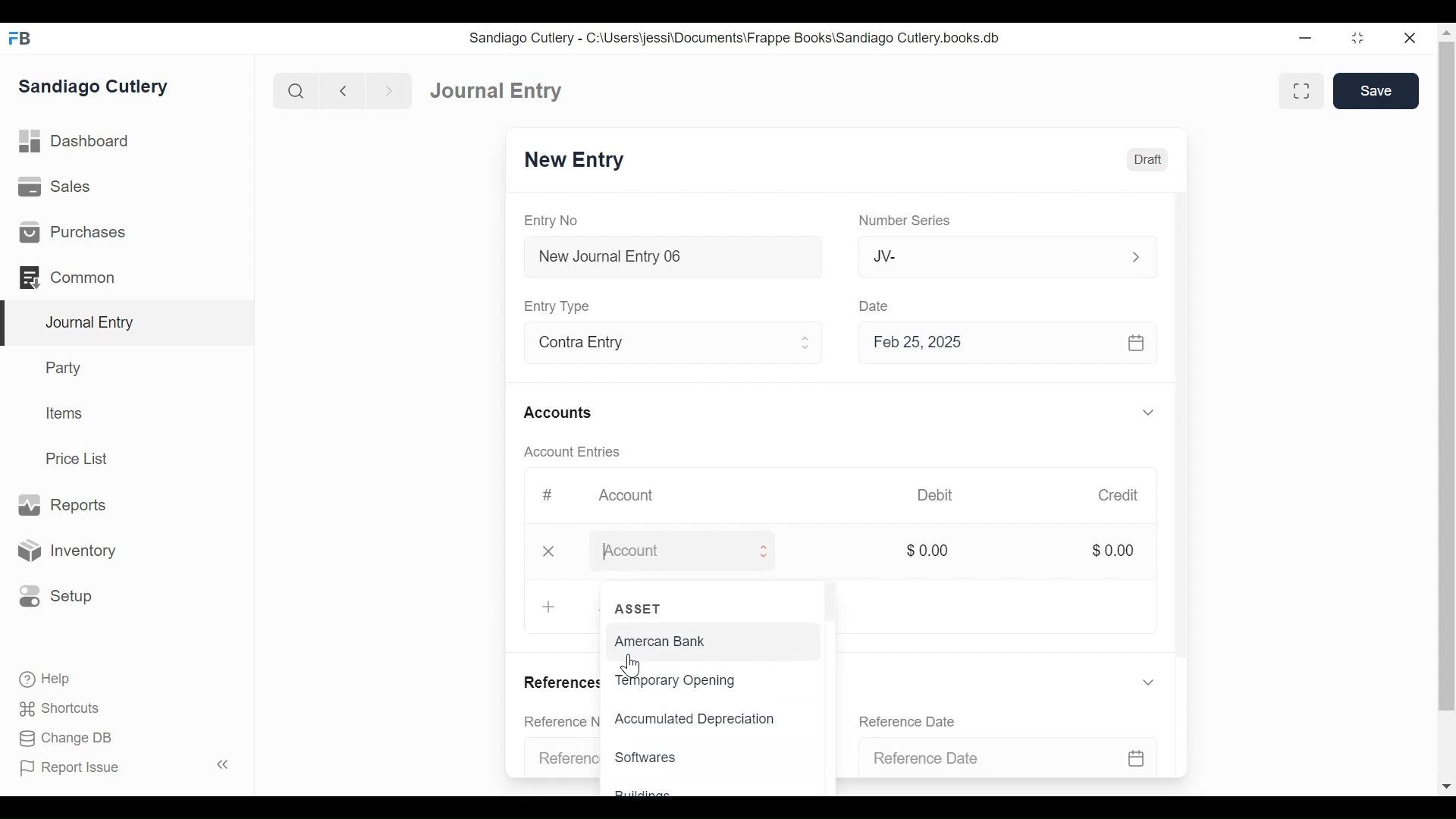 The height and width of the screenshot is (819, 1456). Describe the element at coordinates (736, 37) in the screenshot. I see `Sandiago Cutlery - C:\Users\jessi\Documents\Frappe Books\Sandiago Cutlery.books.db` at that location.